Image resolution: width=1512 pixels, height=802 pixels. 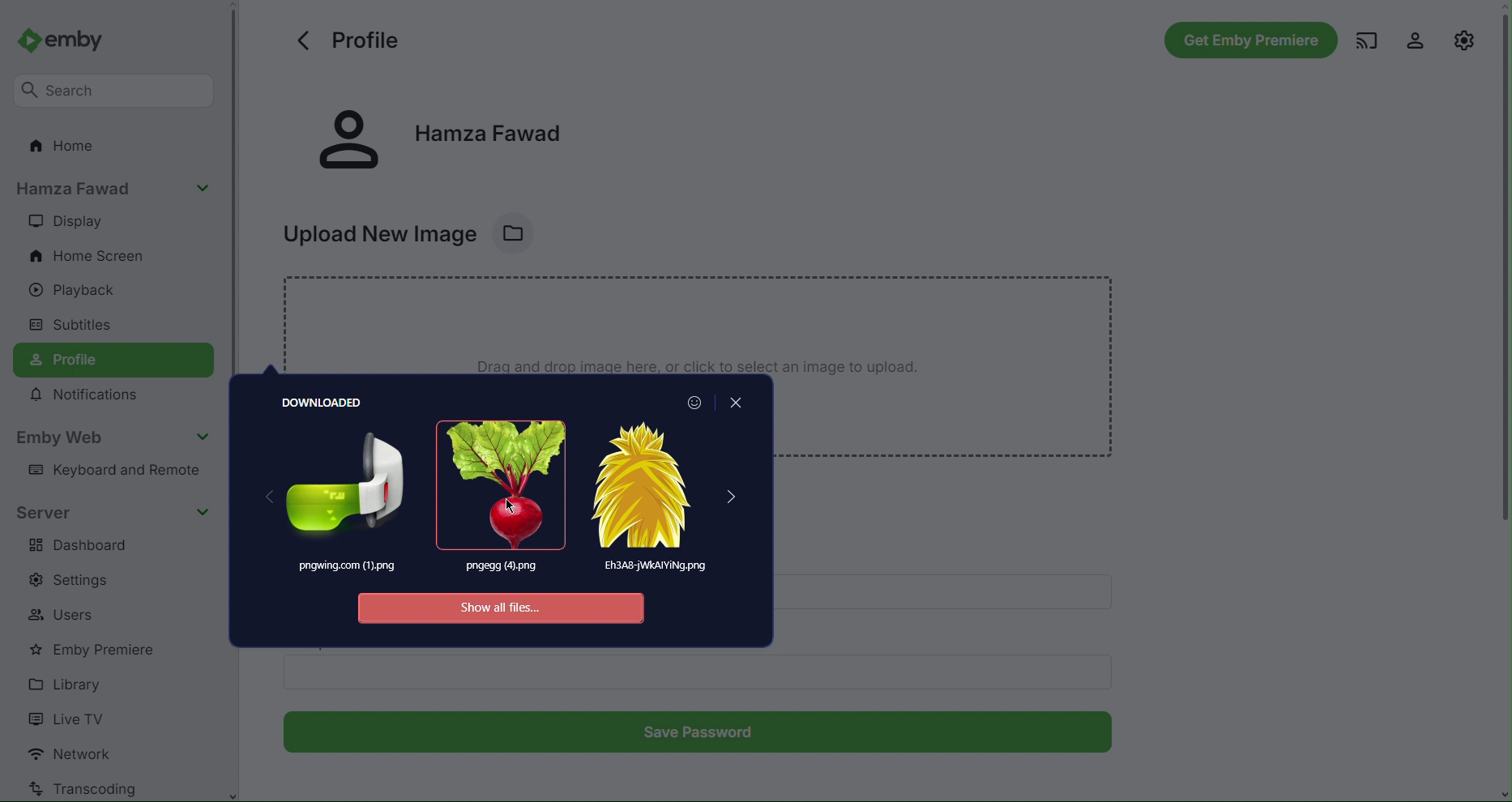 What do you see at coordinates (700, 736) in the screenshot?
I see `Save Password` at bounding box center [700, 736].